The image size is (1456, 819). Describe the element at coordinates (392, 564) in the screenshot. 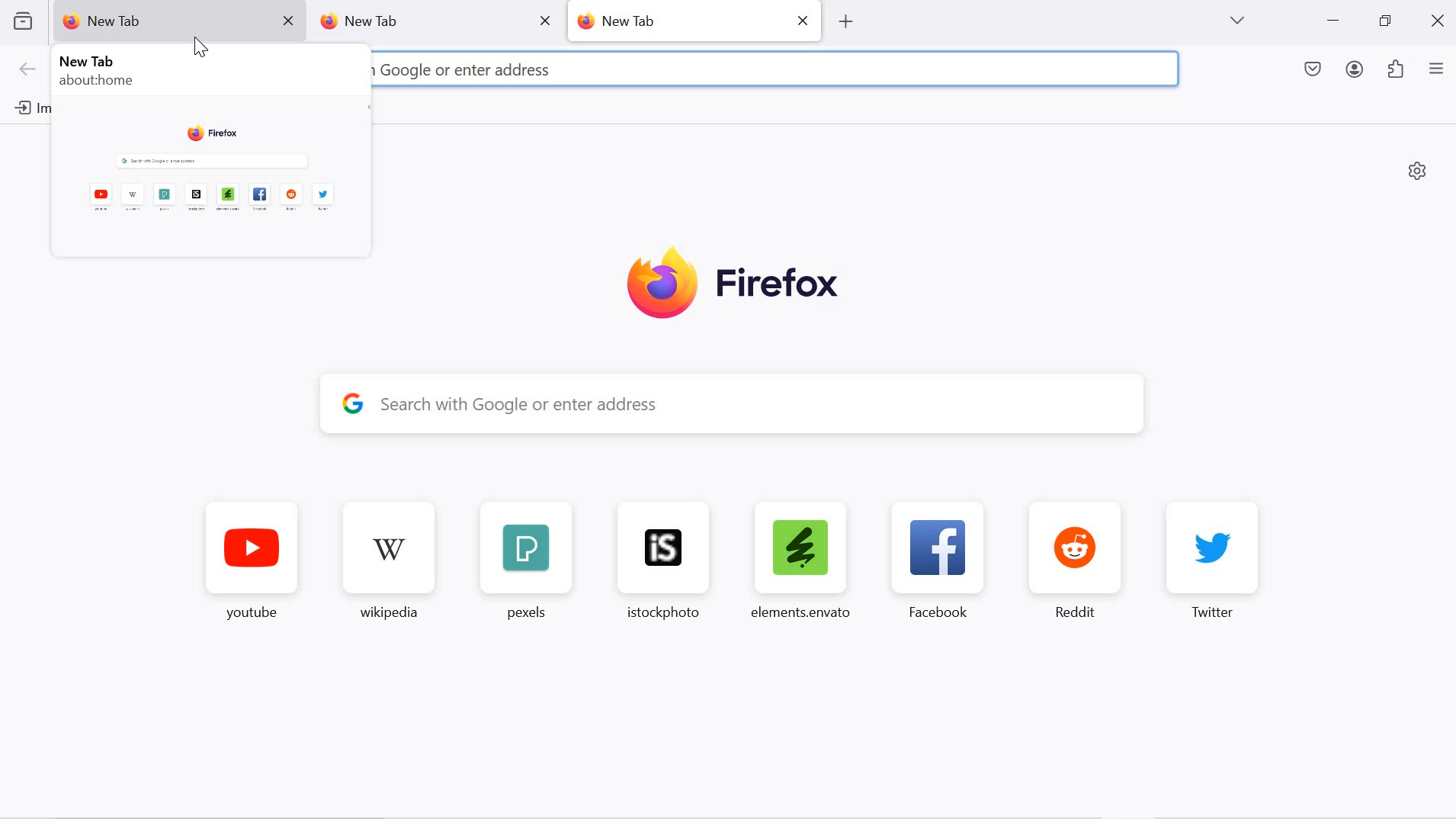

I see `wikipedia favorite` at that location.